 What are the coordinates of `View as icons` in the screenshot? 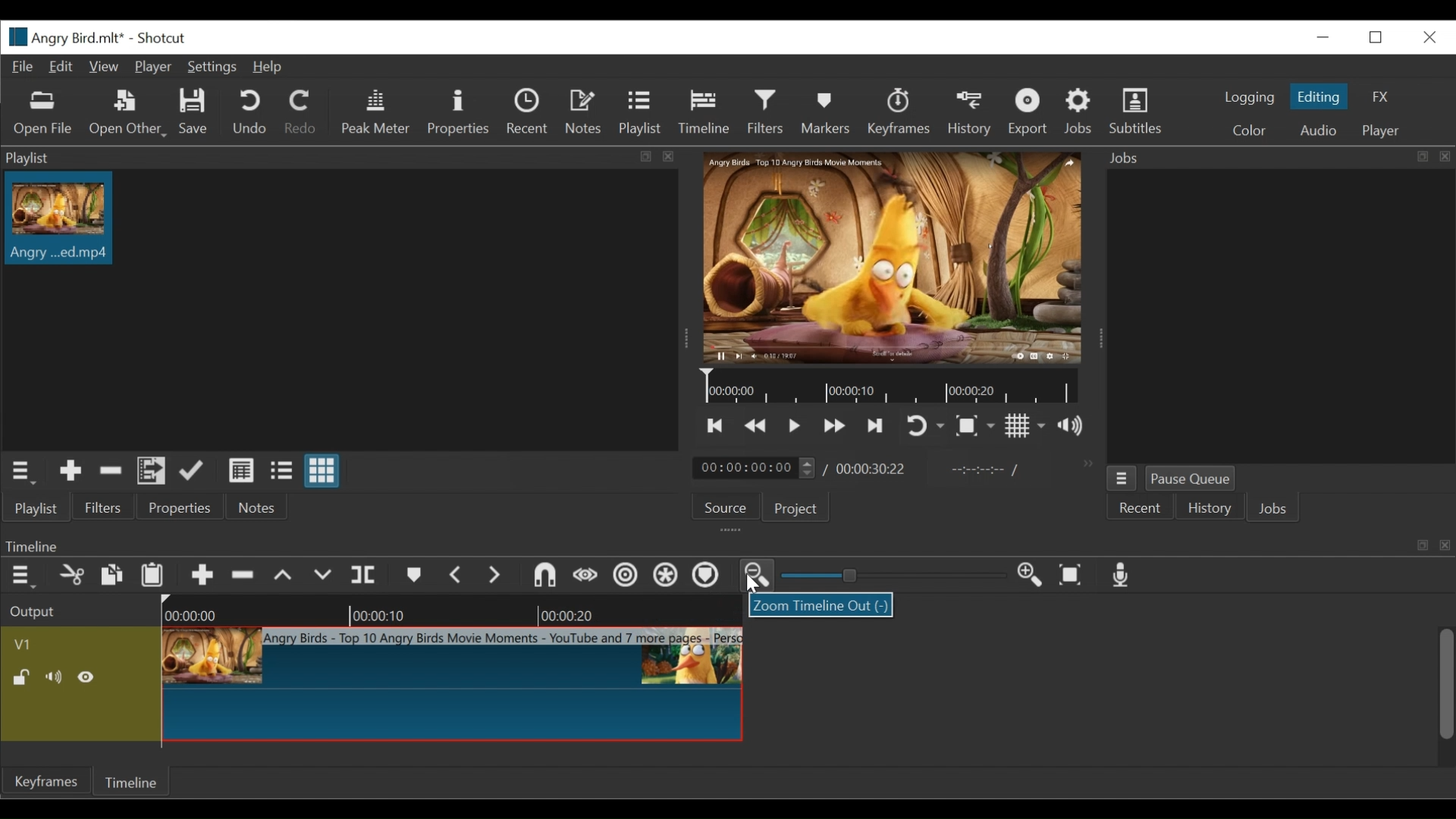 It's located at (322, 470).